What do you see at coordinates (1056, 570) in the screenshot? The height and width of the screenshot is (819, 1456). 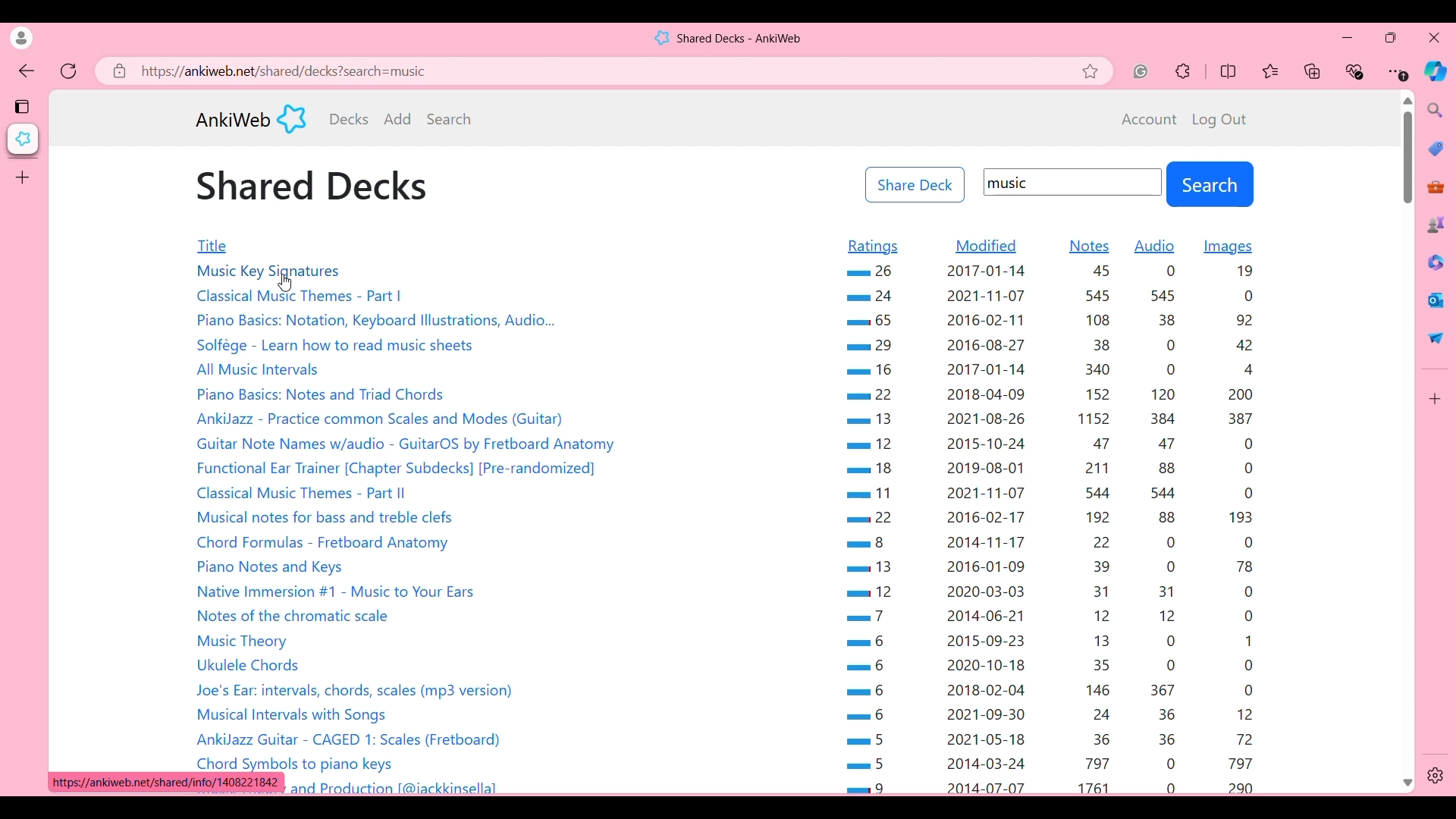 I see `— 13 2016-01-09 39 0 78` at bounding box center [1056, 570].